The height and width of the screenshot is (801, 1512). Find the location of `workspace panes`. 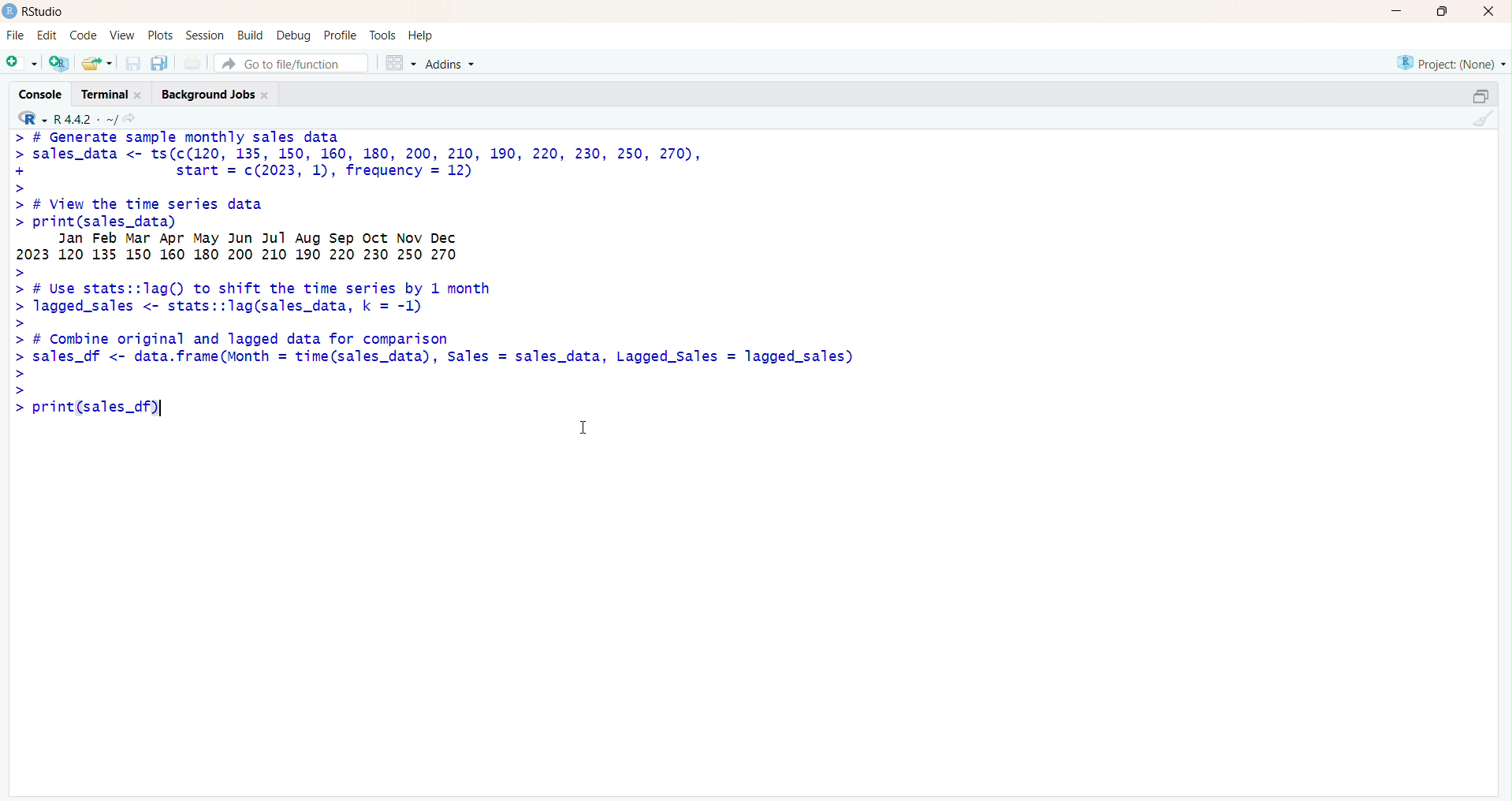

workspace panes is located at coordinates (400, 62).